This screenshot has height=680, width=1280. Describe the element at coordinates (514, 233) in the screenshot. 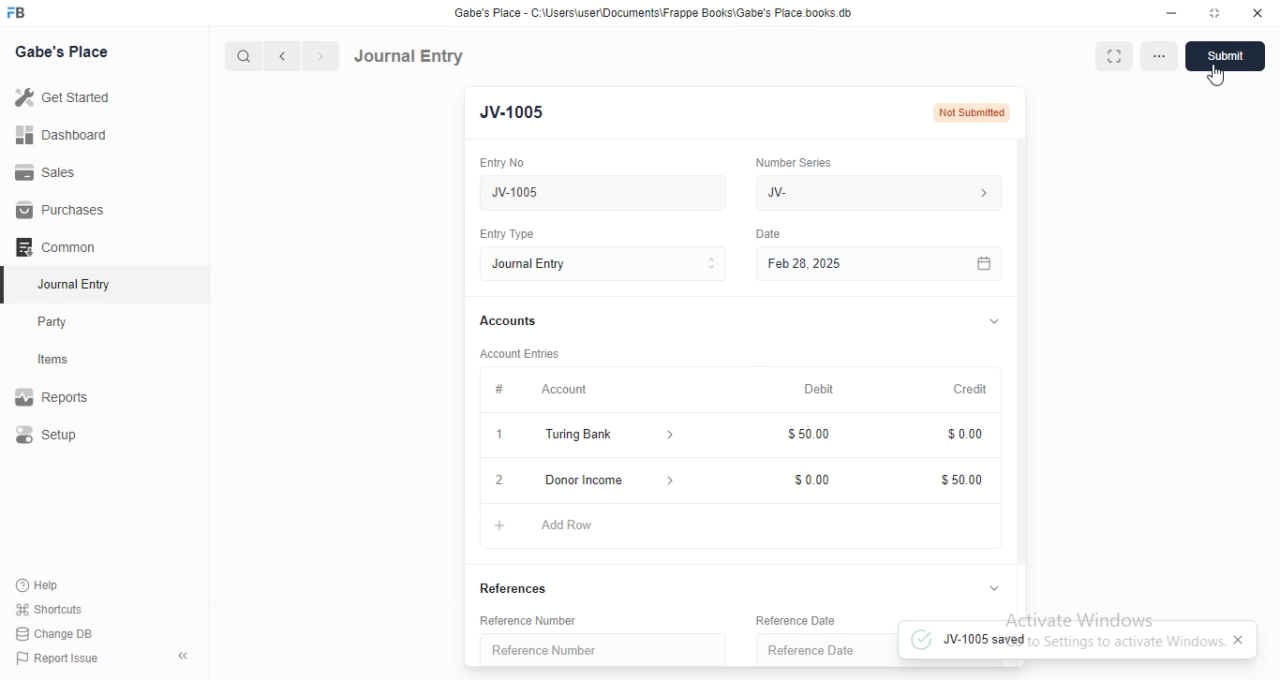

I see `Entry Type` at that location.